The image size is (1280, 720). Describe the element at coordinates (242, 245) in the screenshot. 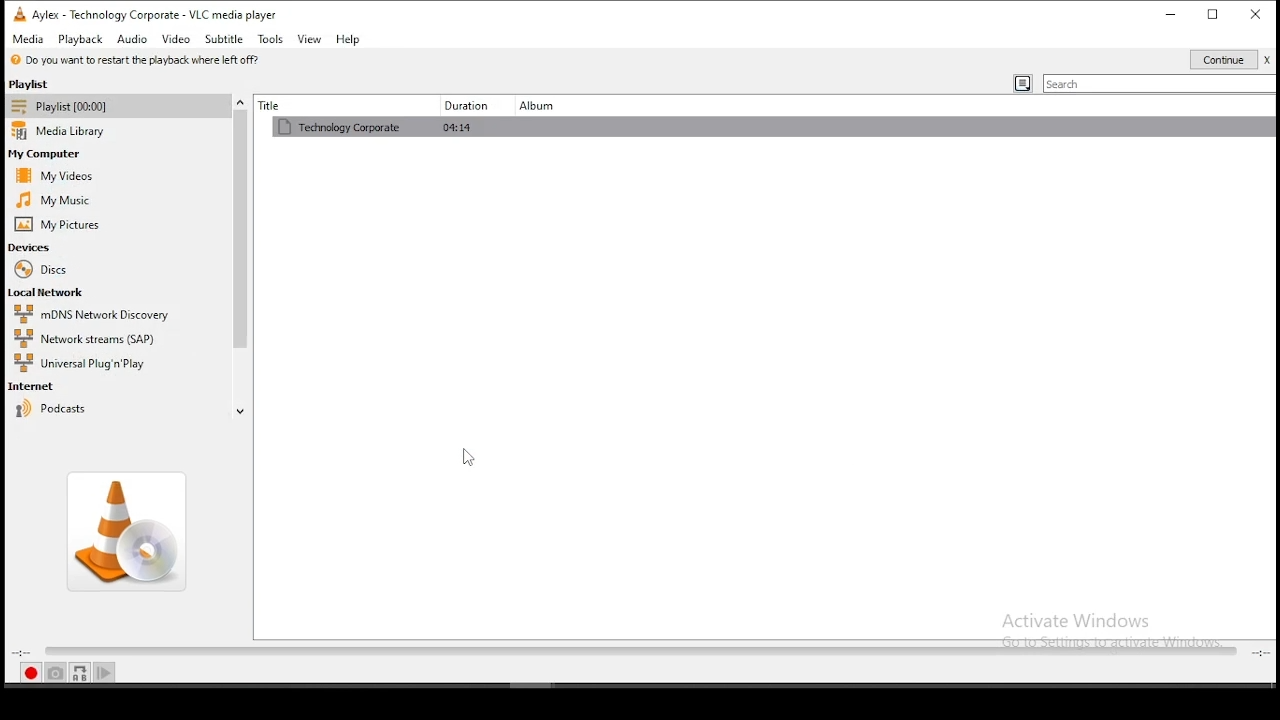

I see `scroll bar` at that location.